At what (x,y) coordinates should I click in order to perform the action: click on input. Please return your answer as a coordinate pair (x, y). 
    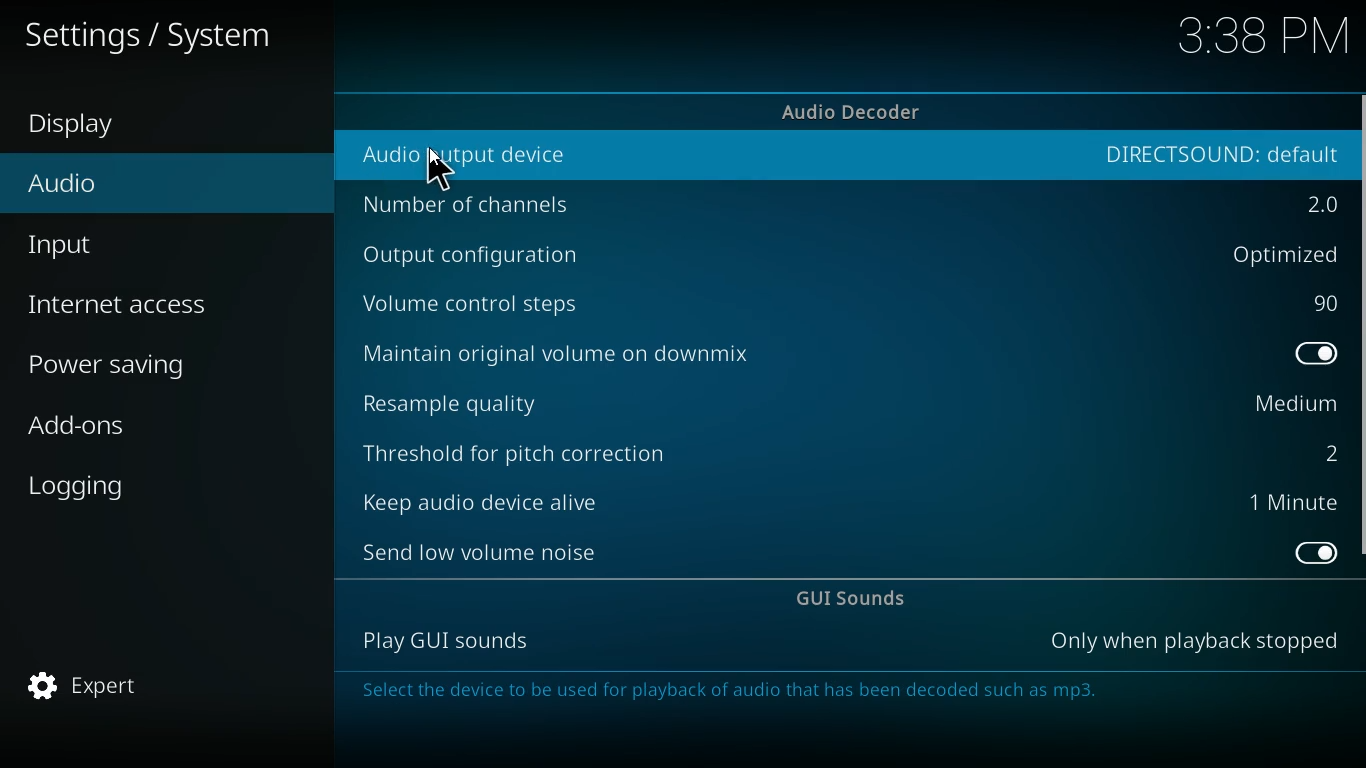
    Looking at the image, I should click on (141, 245).